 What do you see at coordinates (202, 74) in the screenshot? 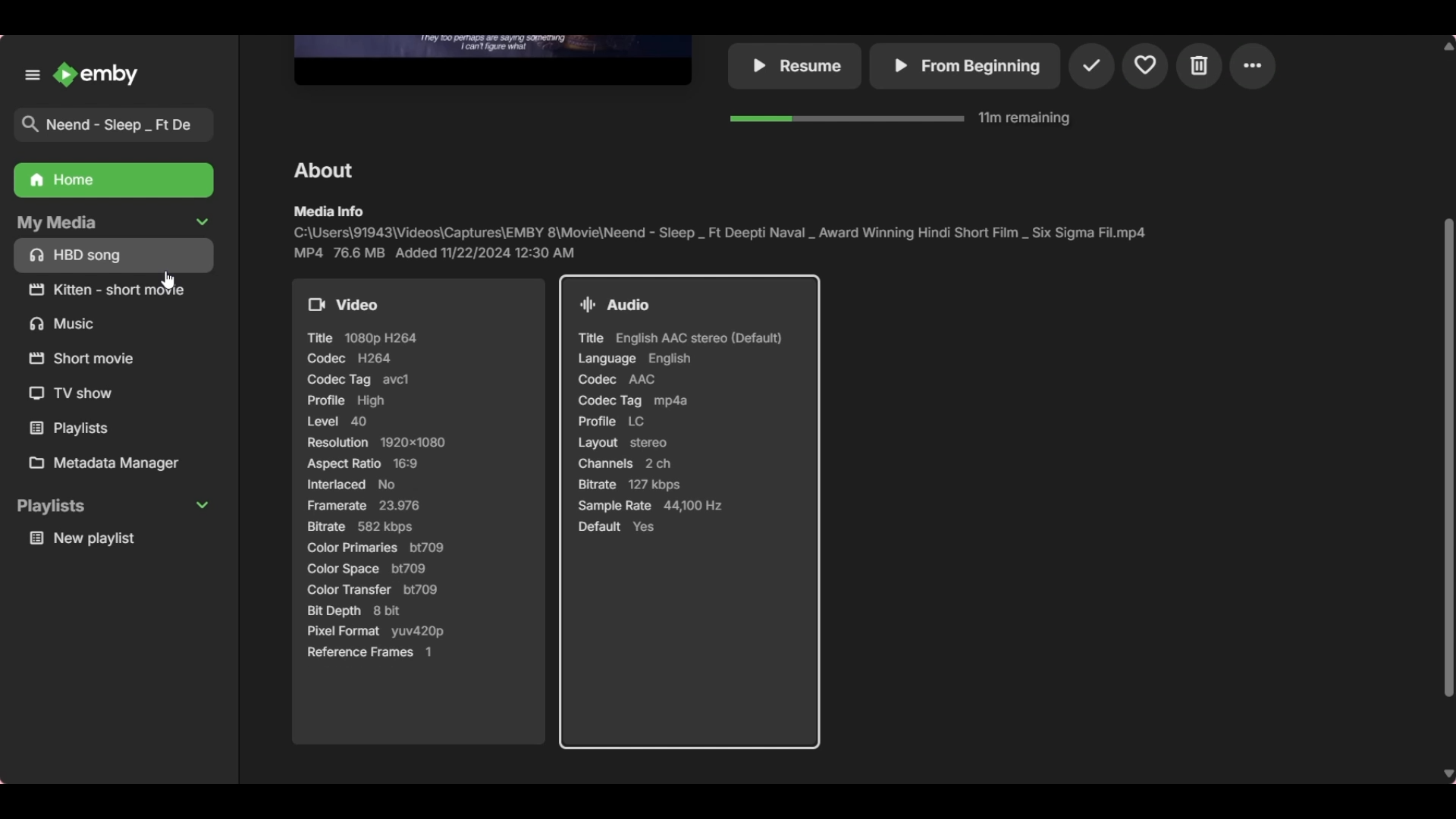
I see `Delete inputs` at bounding box center [202, 74].